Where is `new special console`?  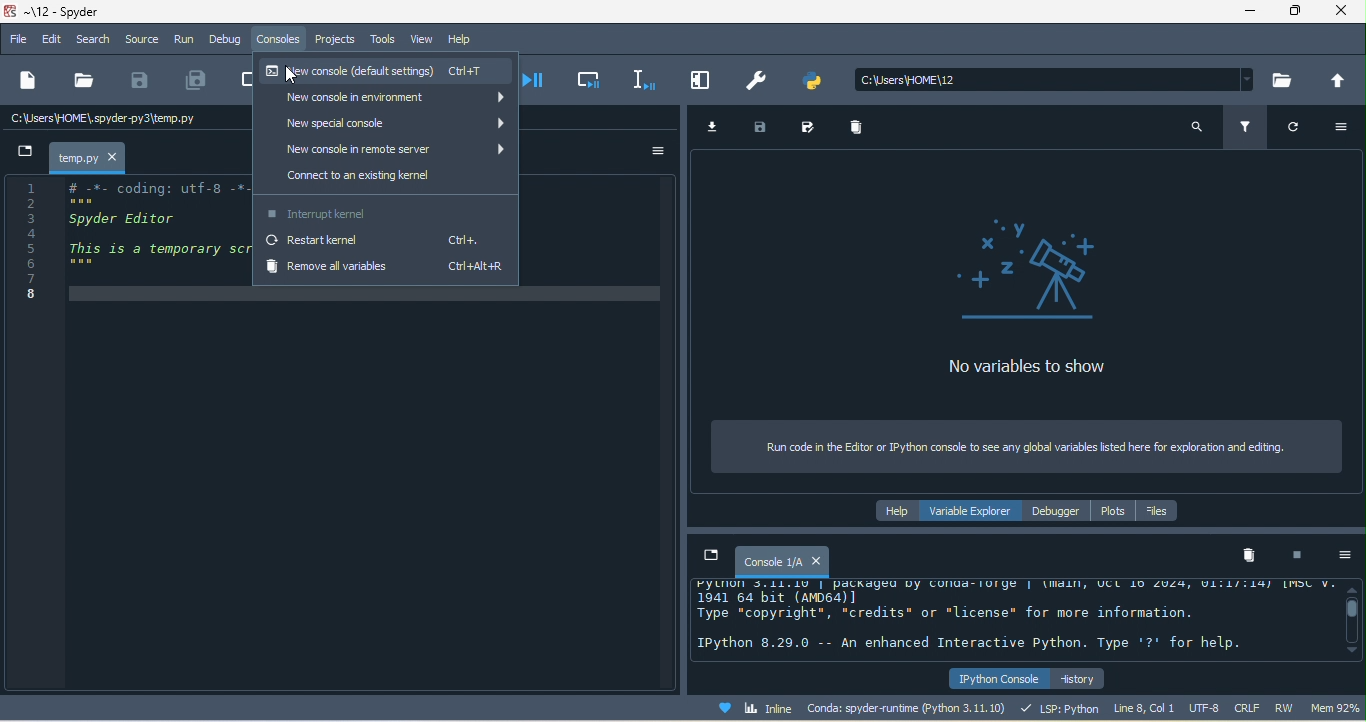 new special console is located at coordinates (381, 124).